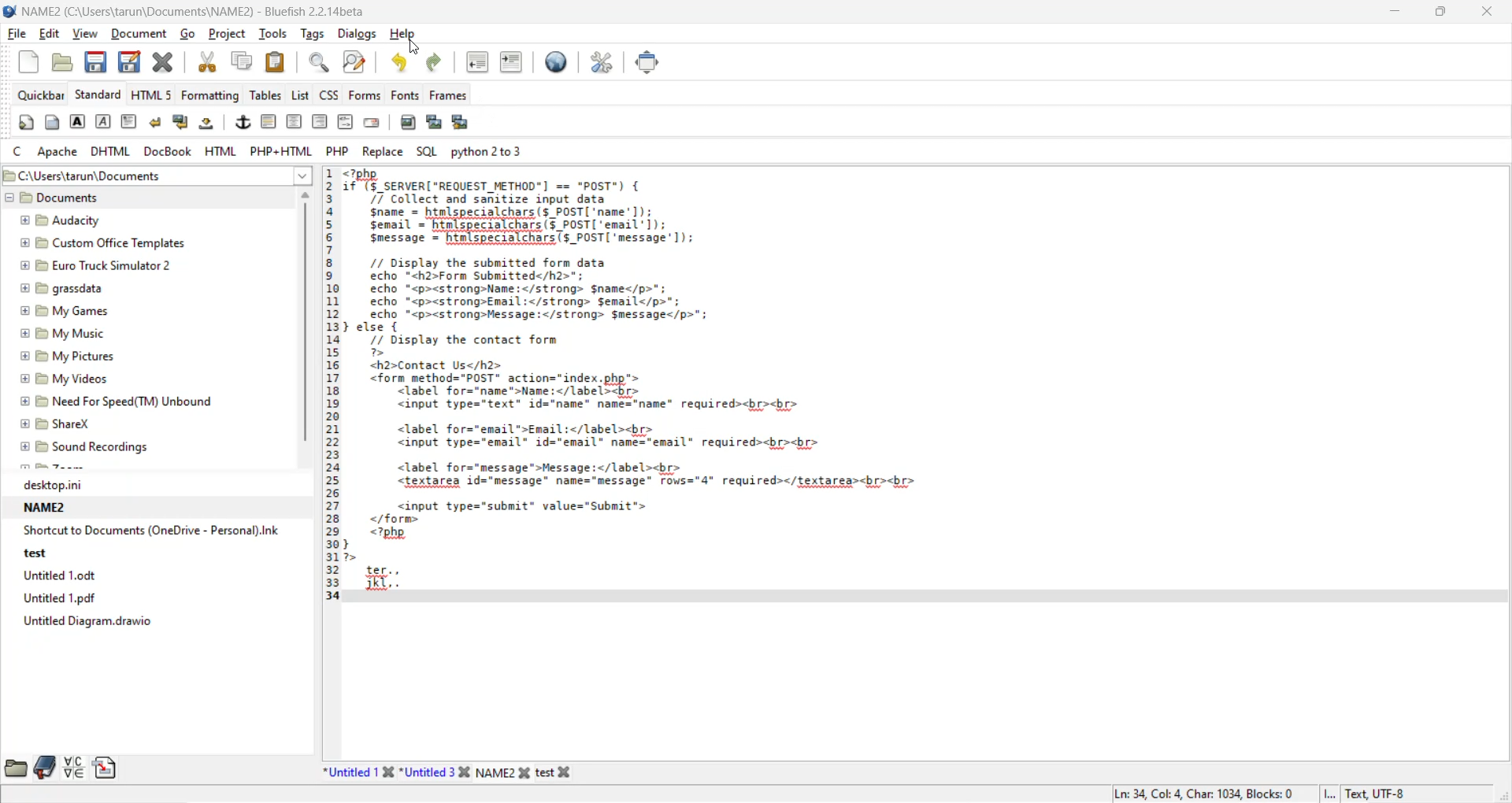 The width and height of the screenshot is (1512, 803). What do you see at coordinates (210, 61) in the screenshot?
I see `cut` at bounding box center [210, 61].